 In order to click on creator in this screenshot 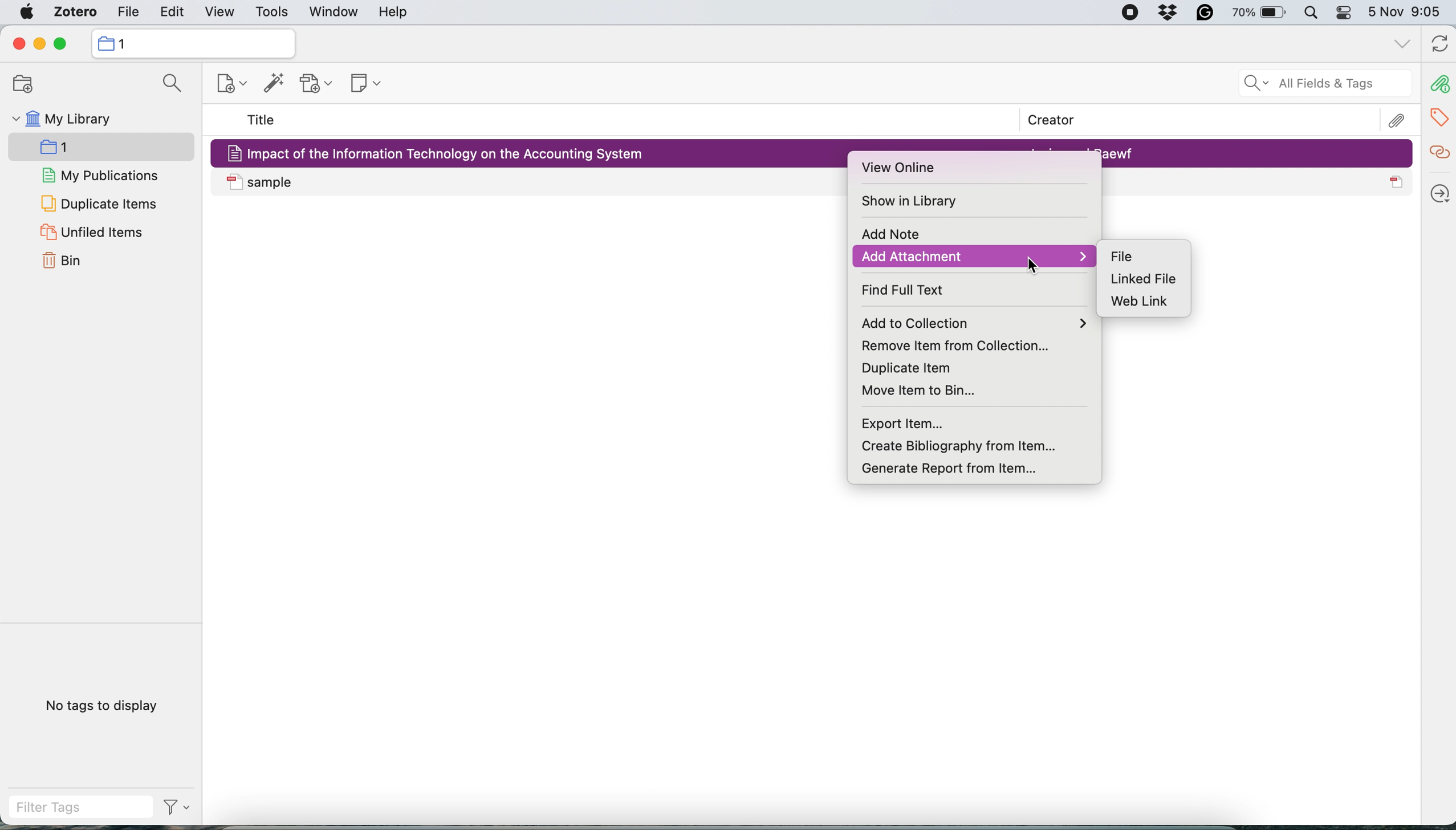, I will do `click(1044, 121)`.